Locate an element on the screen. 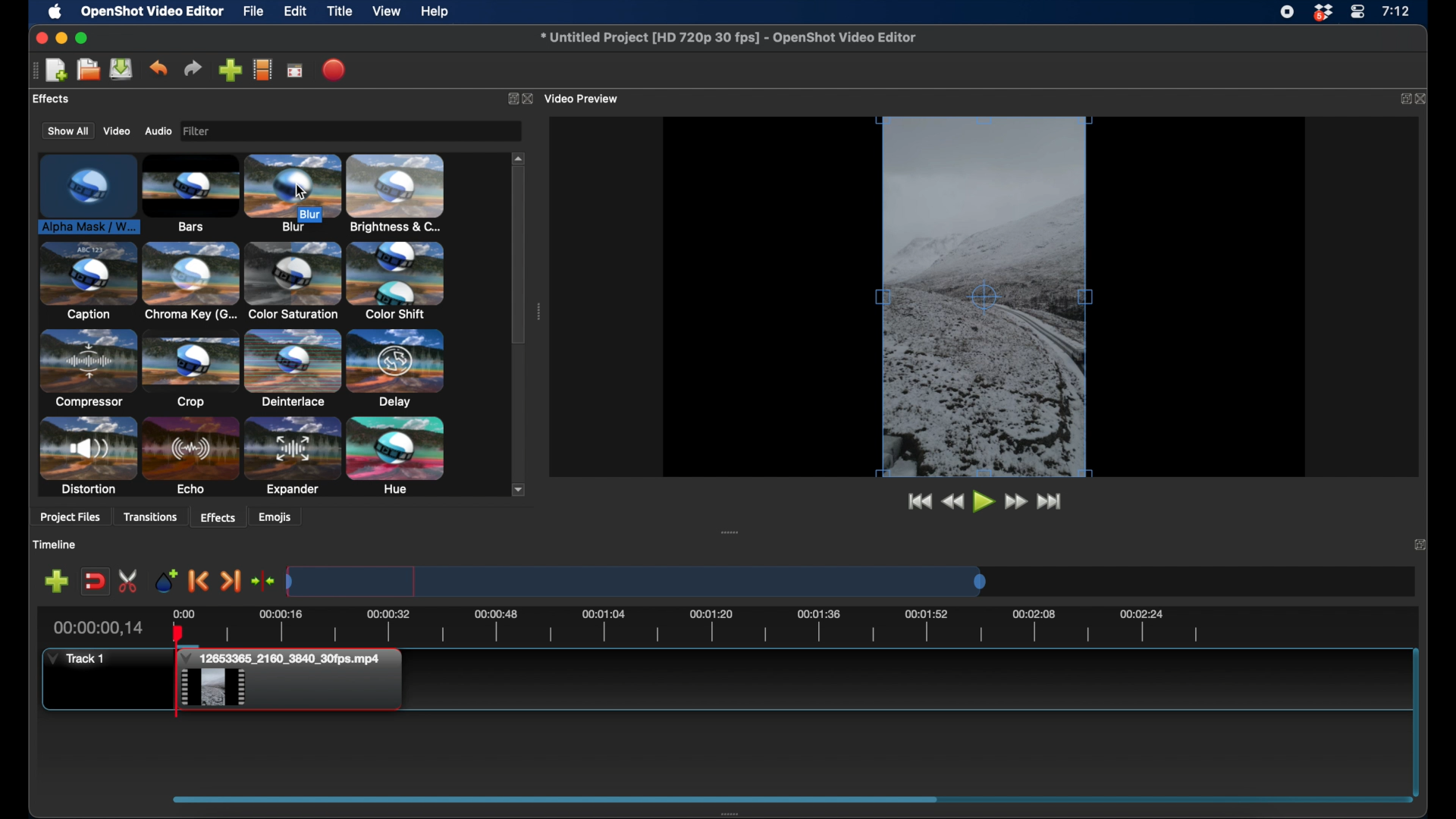 The height and width of the screenshot is (819, 1456). jump to start is located at coordinates (919, 502).